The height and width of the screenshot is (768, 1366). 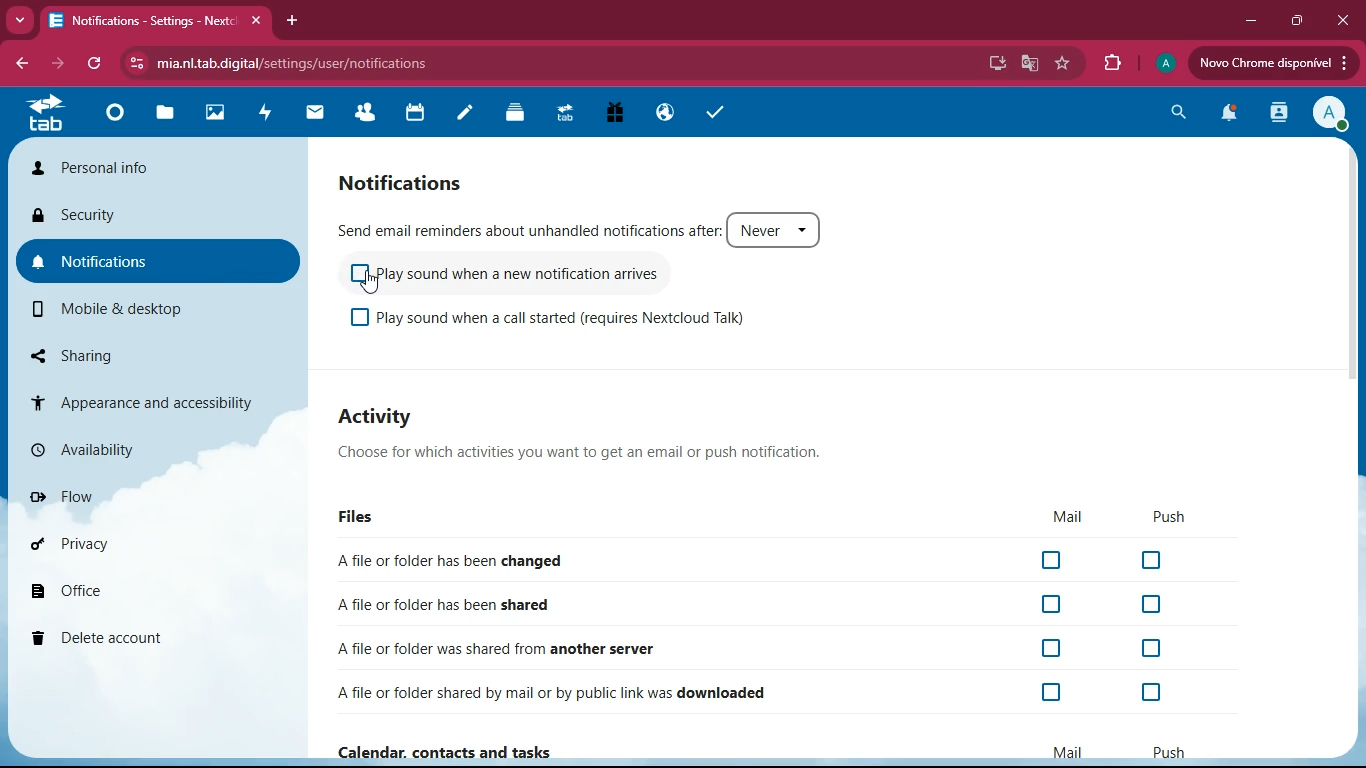 What do you see at coordinates (135, 308) in the screenshot?
I see `mobile` at bounding box center [135, 308].